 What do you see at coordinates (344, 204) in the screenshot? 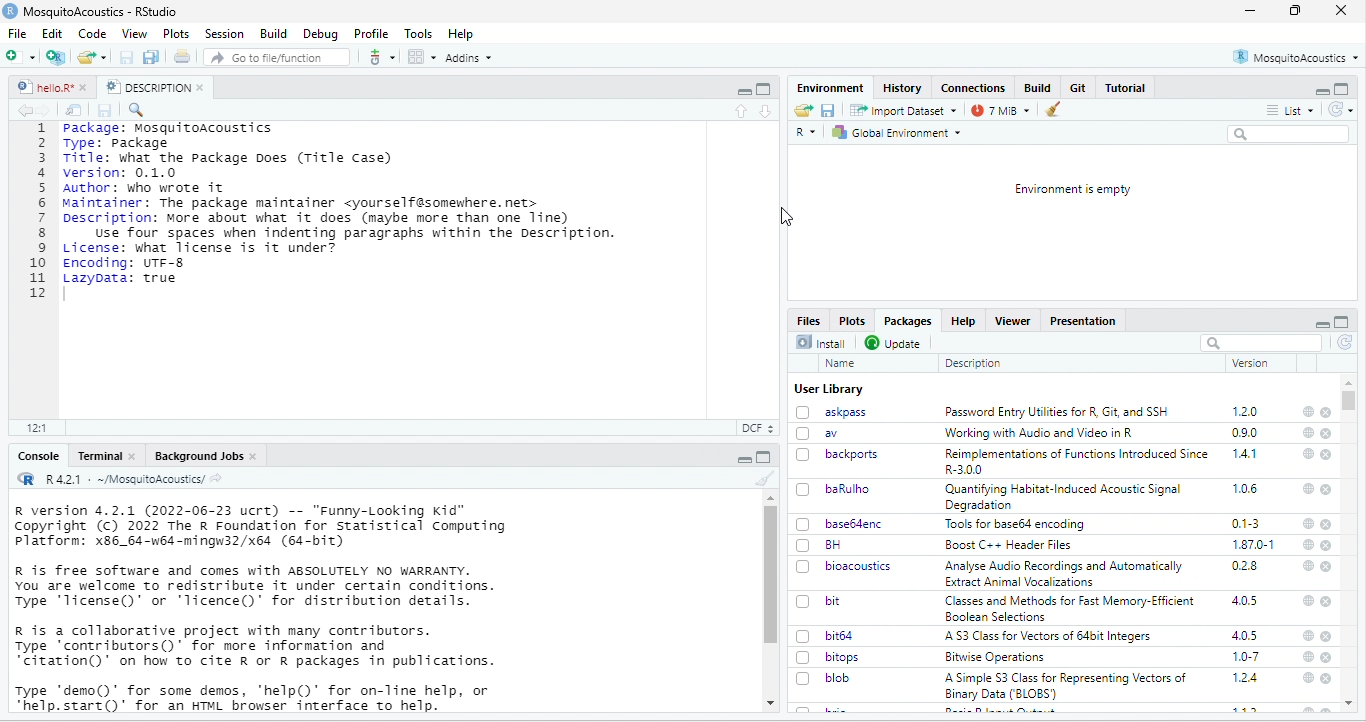
I see `Package: MosquitoAcoustics Type: PackageTitle: what the package Does (Title Case)version: 0.1.0Author: who wrote itMaintainer: The package maintainer <yourself@somewhere.net>Description: More about what it does (maybe more than one line)use four spaces when indenting paragraphs within the pescription.License: what license is it under?encoding: UTF-8LazyData: true` at bounding box center [344, 204].